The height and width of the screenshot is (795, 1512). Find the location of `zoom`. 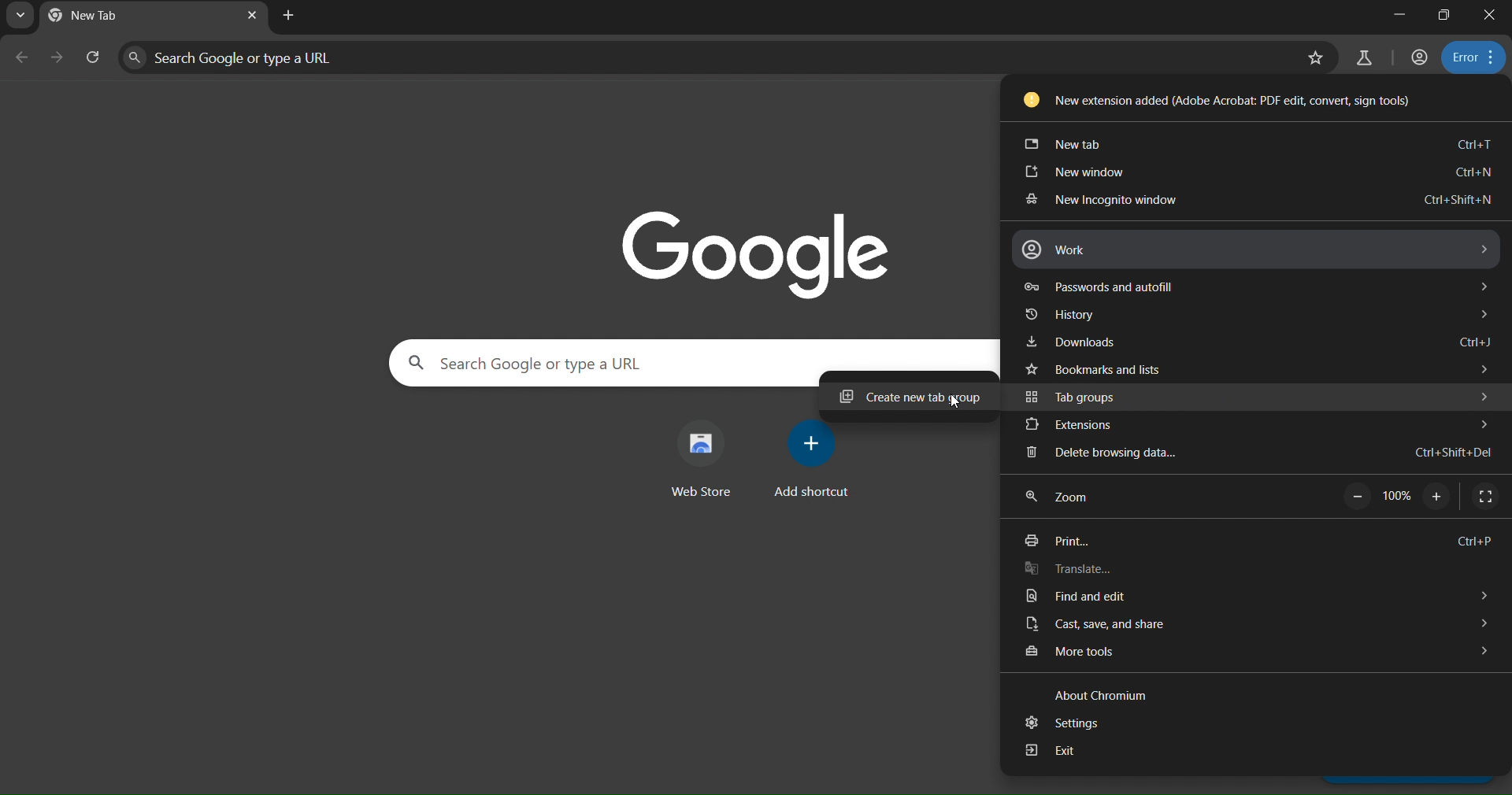

zoom is located at coordinates (1076, 497).